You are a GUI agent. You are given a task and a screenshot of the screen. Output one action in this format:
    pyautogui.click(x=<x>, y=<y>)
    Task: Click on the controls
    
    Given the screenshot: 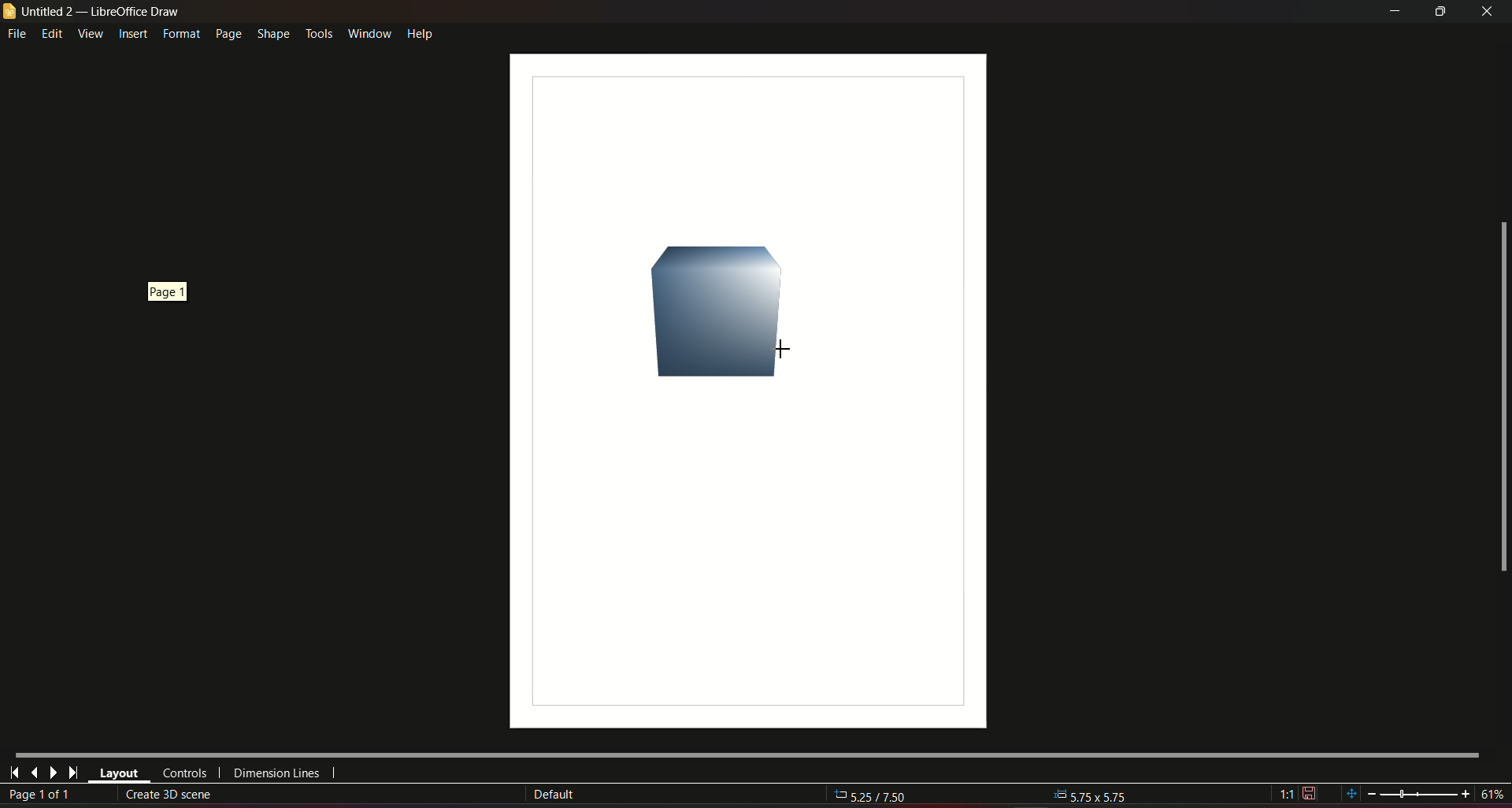 What is the action you would take?
    pyautogui.click(x=183, y=773)
    